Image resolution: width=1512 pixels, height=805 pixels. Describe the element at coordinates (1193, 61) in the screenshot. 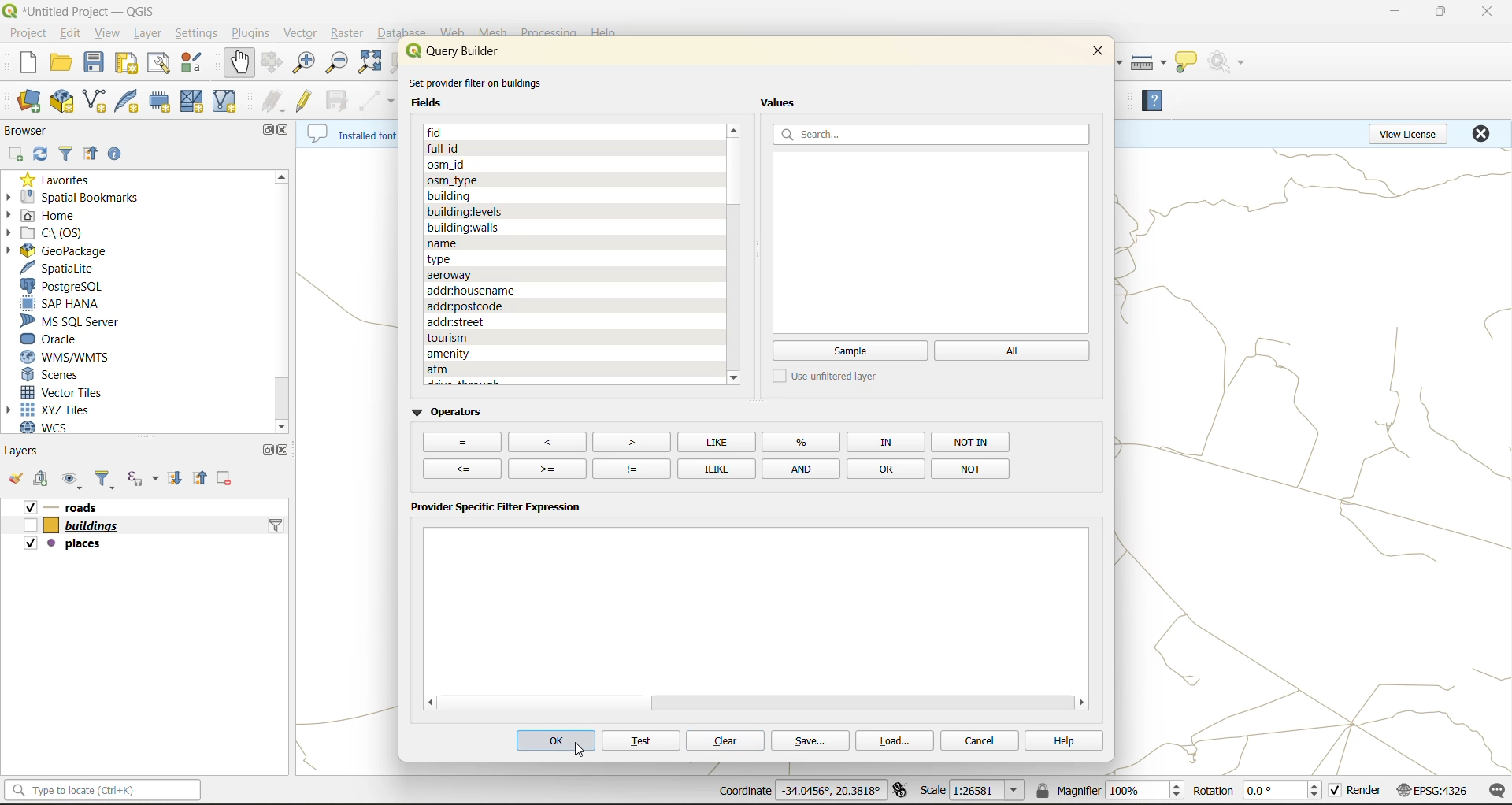

I see `show tips` at that location.